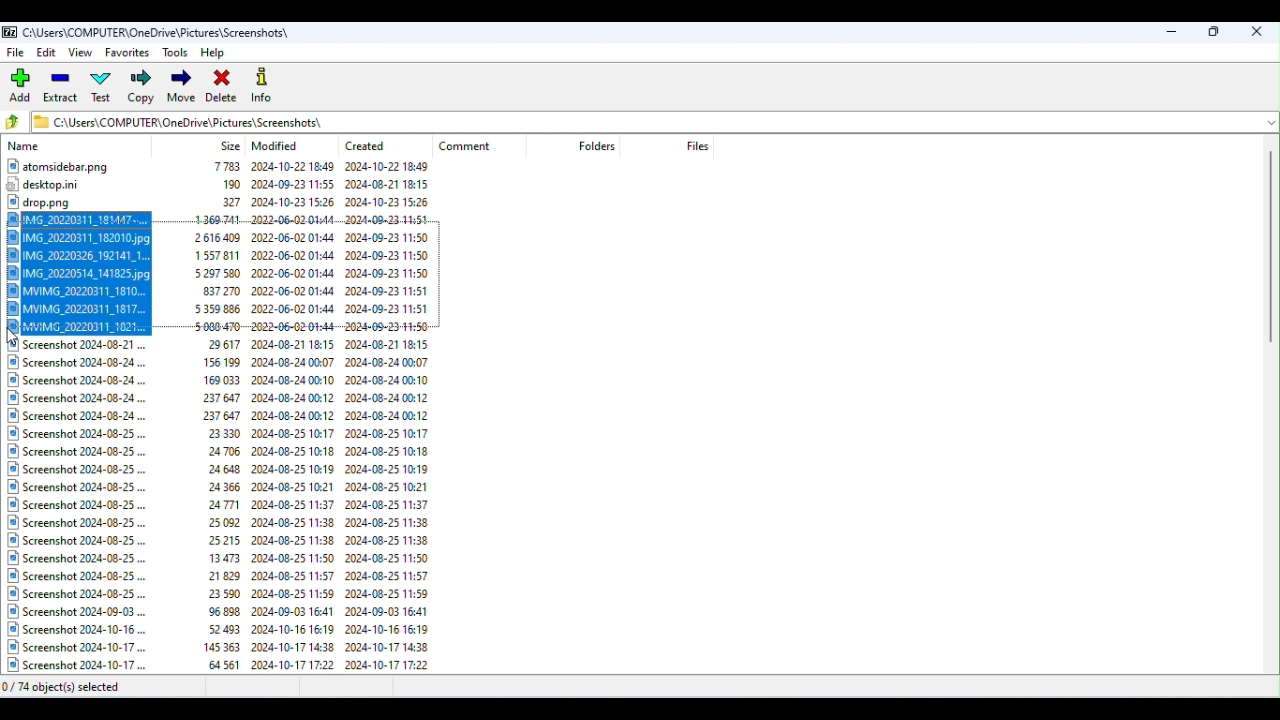 Image resolution: width=1280 pixels, height=720 pixels. I want to click on File address bar, so click(643, 120).